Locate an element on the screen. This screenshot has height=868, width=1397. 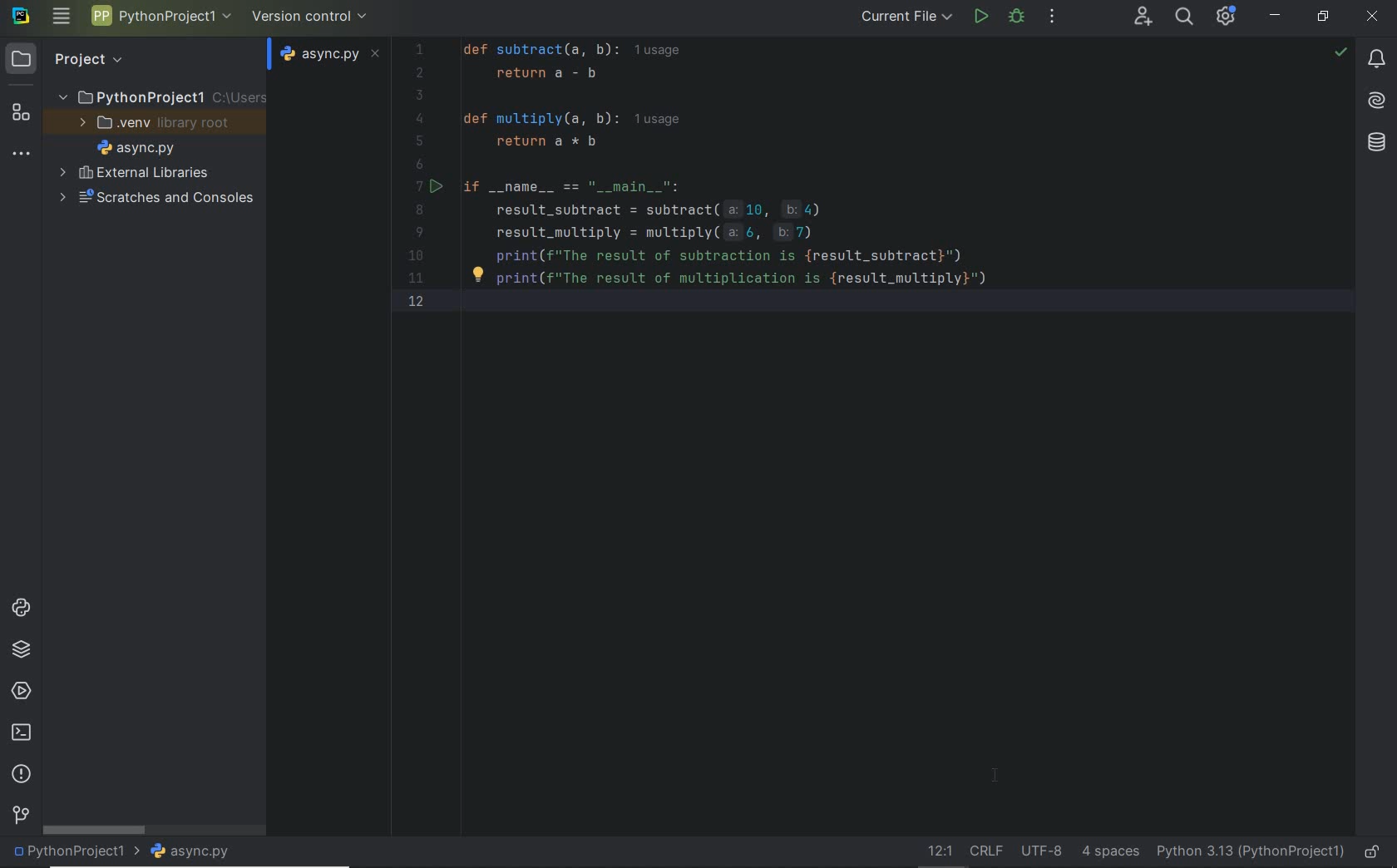
notifications is located at coordinates (1378, 62).